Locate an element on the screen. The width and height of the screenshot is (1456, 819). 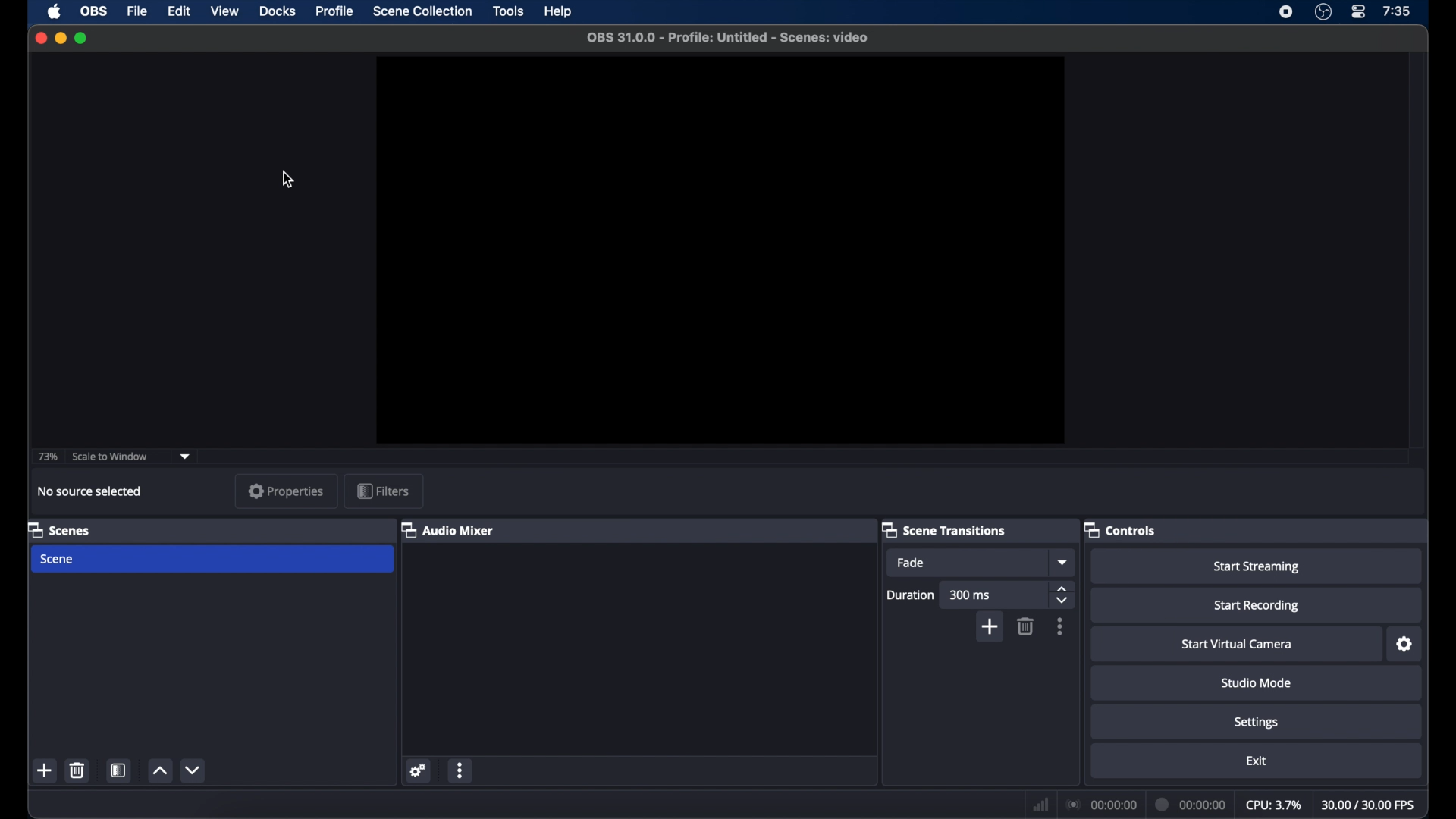
settings is located at coordinates (1257, 721).